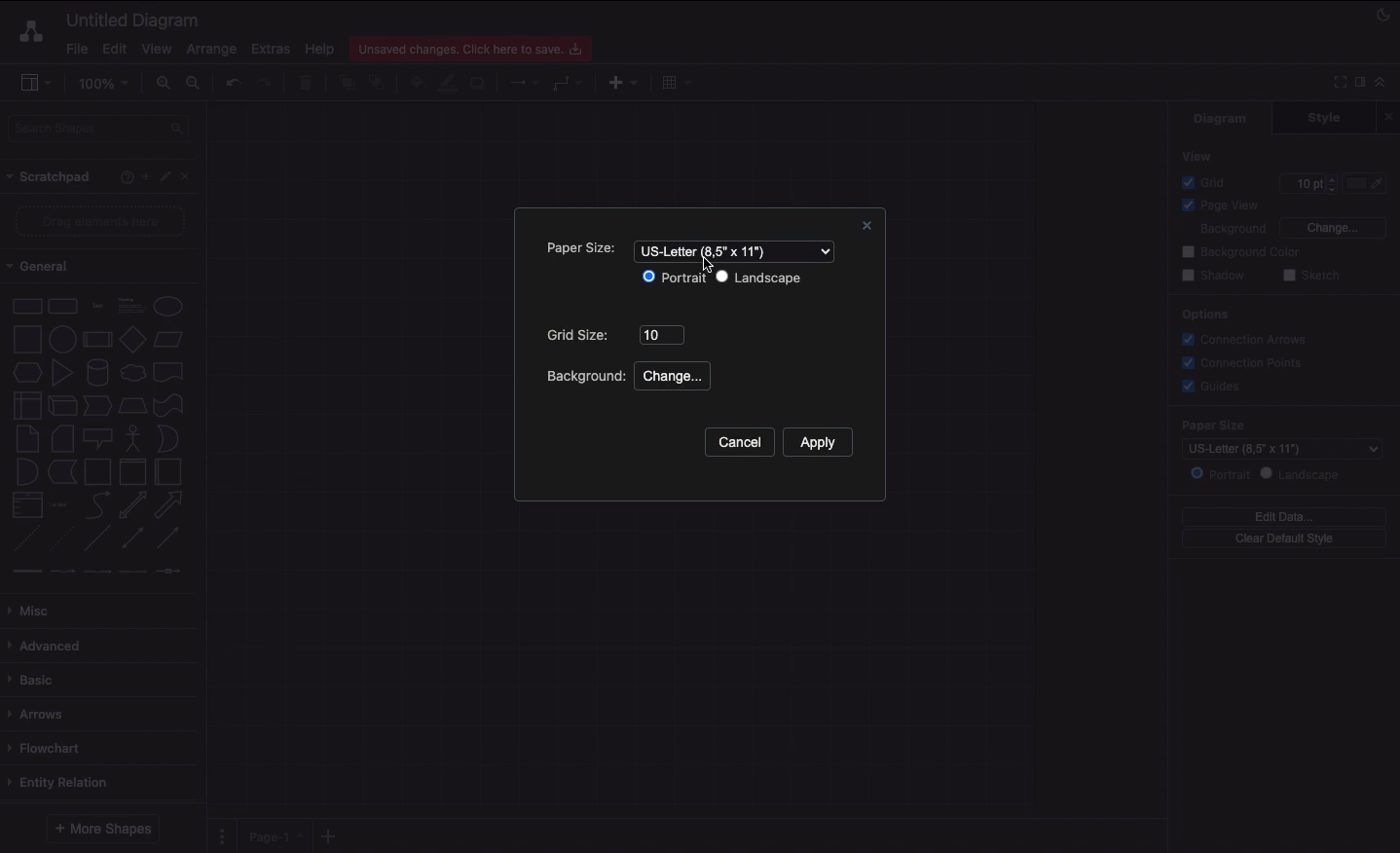  Describe the element at coordinates (319, 48) in the screenshot. I see `Help` at that location.